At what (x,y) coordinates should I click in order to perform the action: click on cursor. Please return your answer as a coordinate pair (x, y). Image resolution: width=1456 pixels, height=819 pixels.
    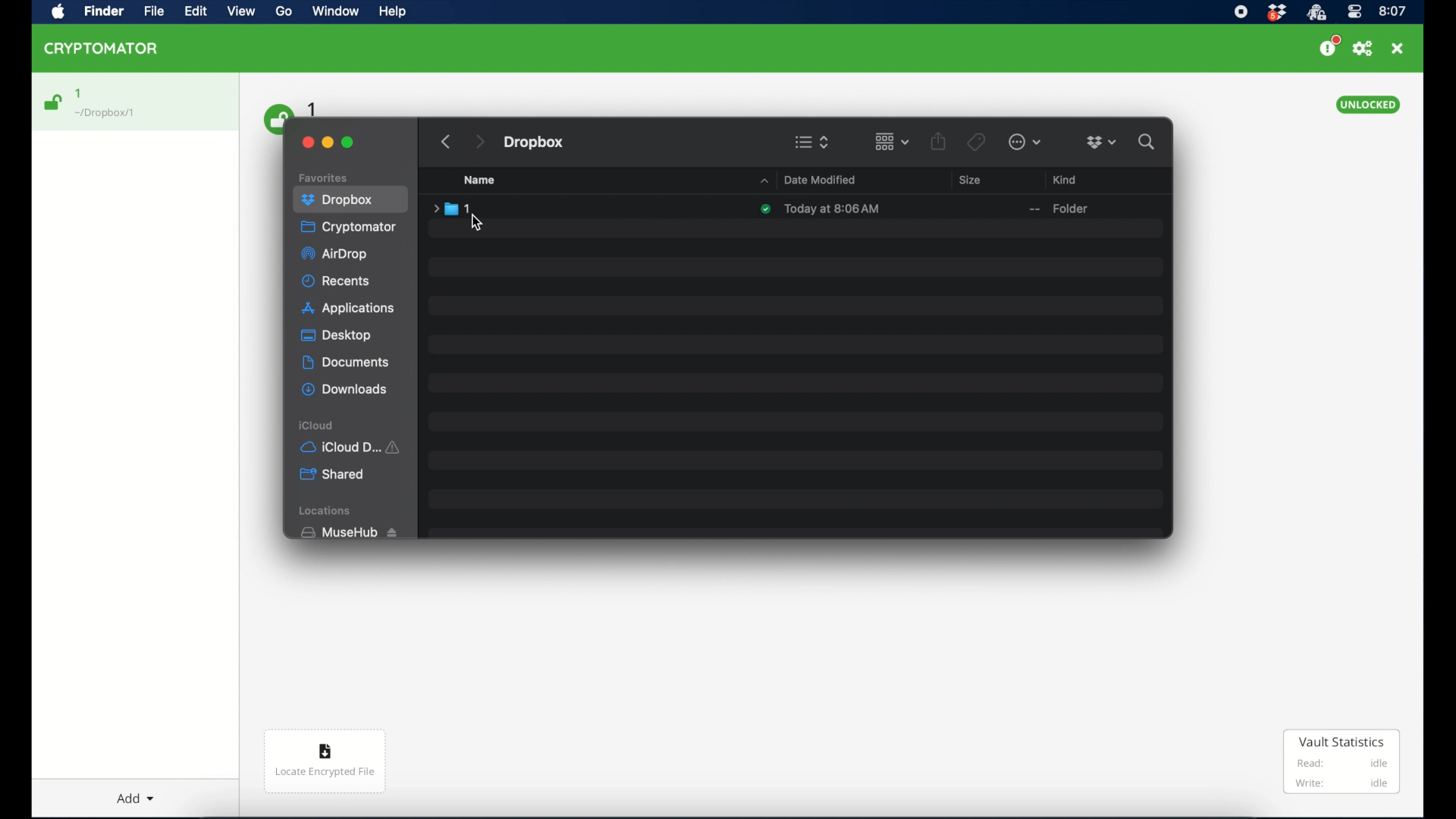
    Looking at the image, I should click on (484, 220).